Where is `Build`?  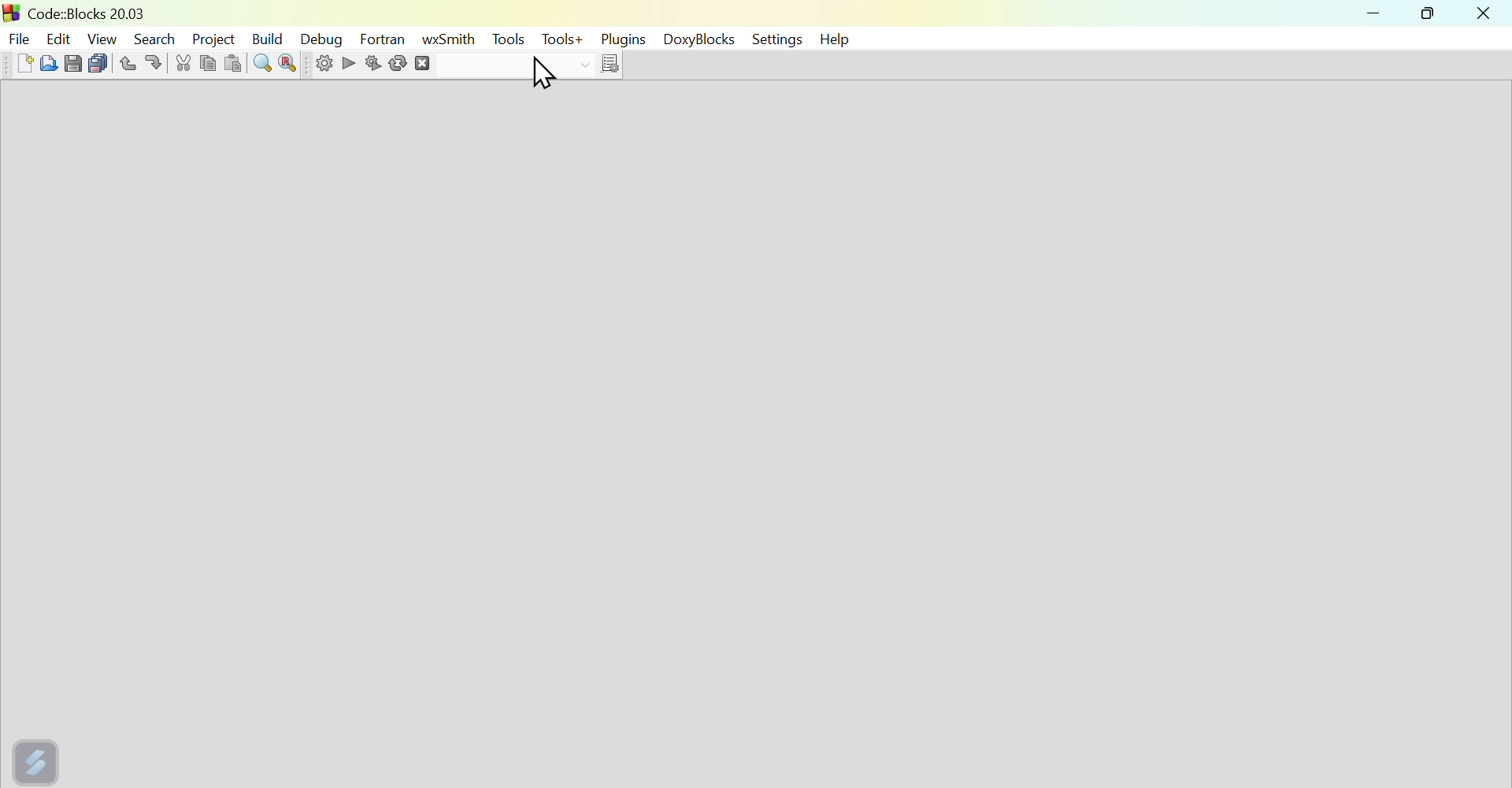 Build is located at coordinates (272, 35).